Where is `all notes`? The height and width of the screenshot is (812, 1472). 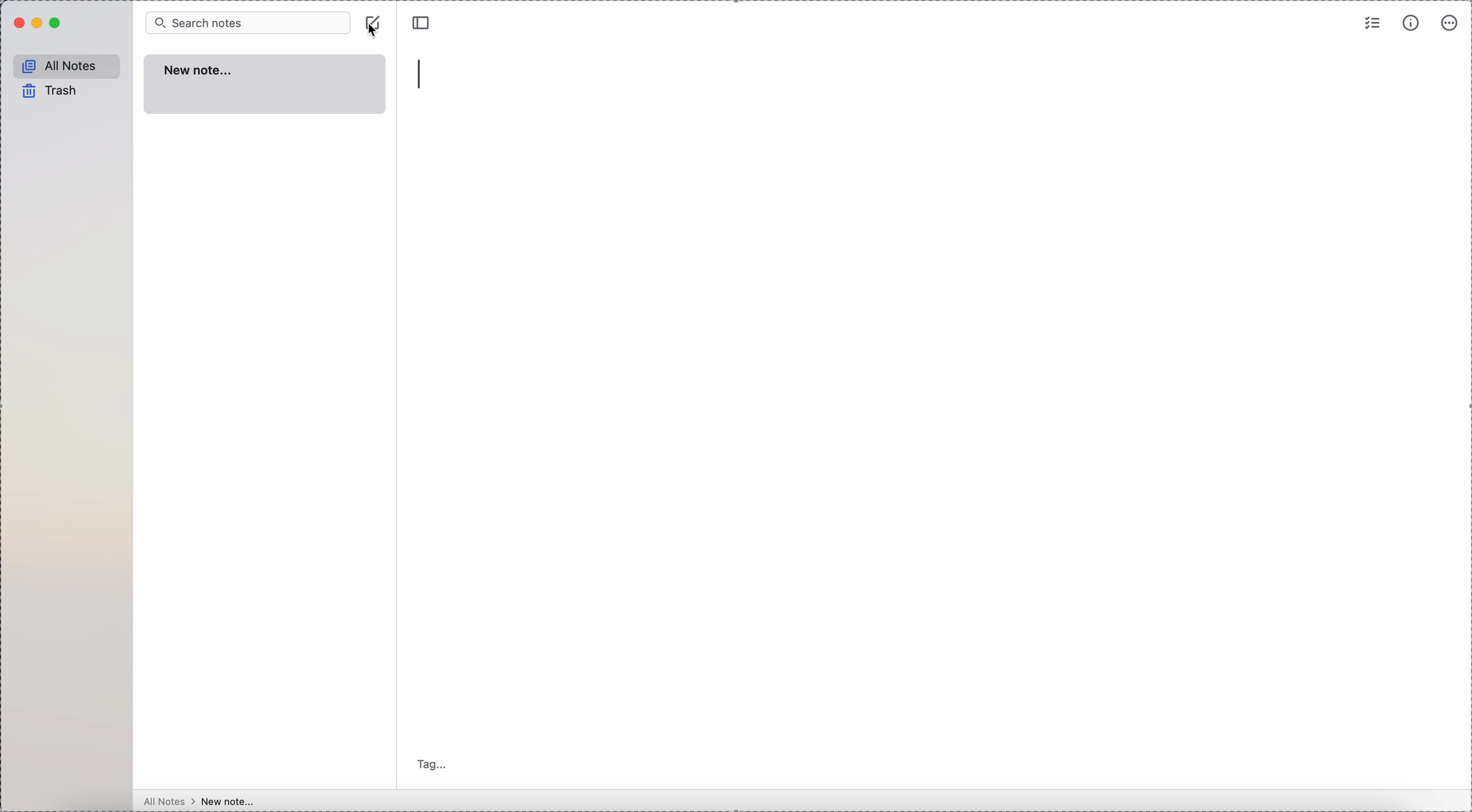
all notes is located at coordinates (66, 66).